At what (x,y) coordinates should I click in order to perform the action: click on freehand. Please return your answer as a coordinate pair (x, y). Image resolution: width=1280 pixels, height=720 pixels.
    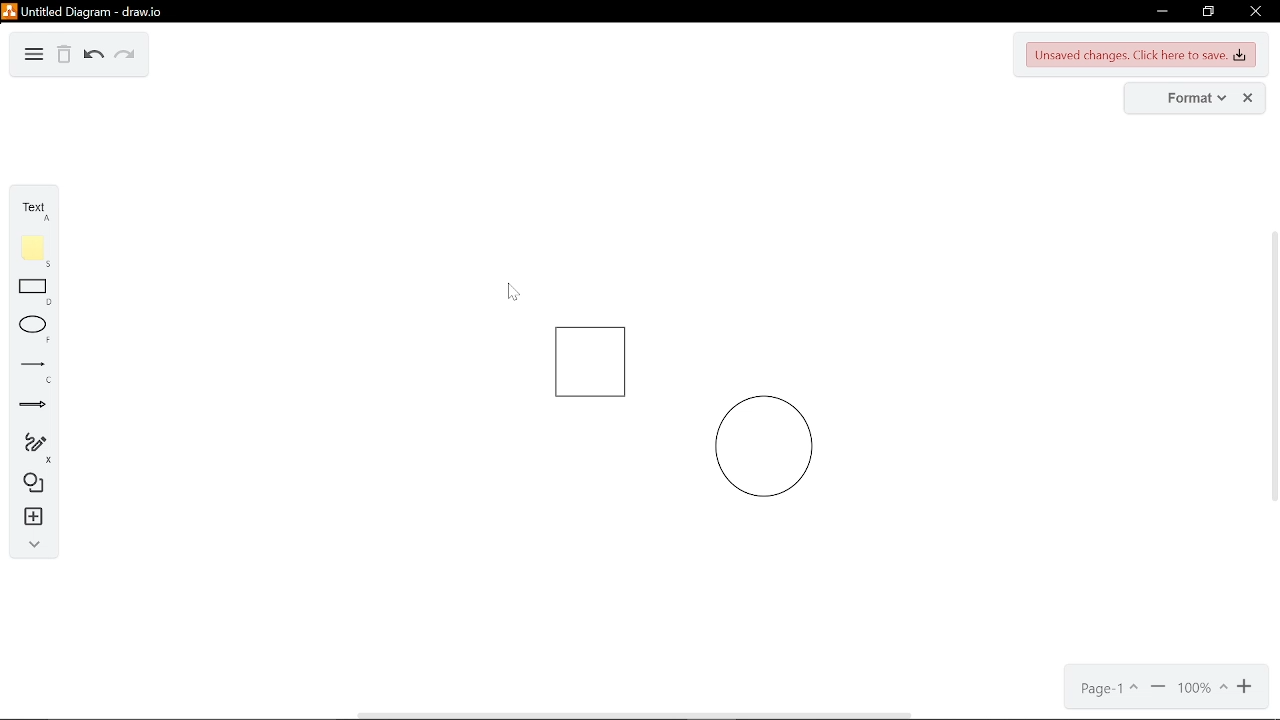
    Looking at the image, I should click on (27, 448).